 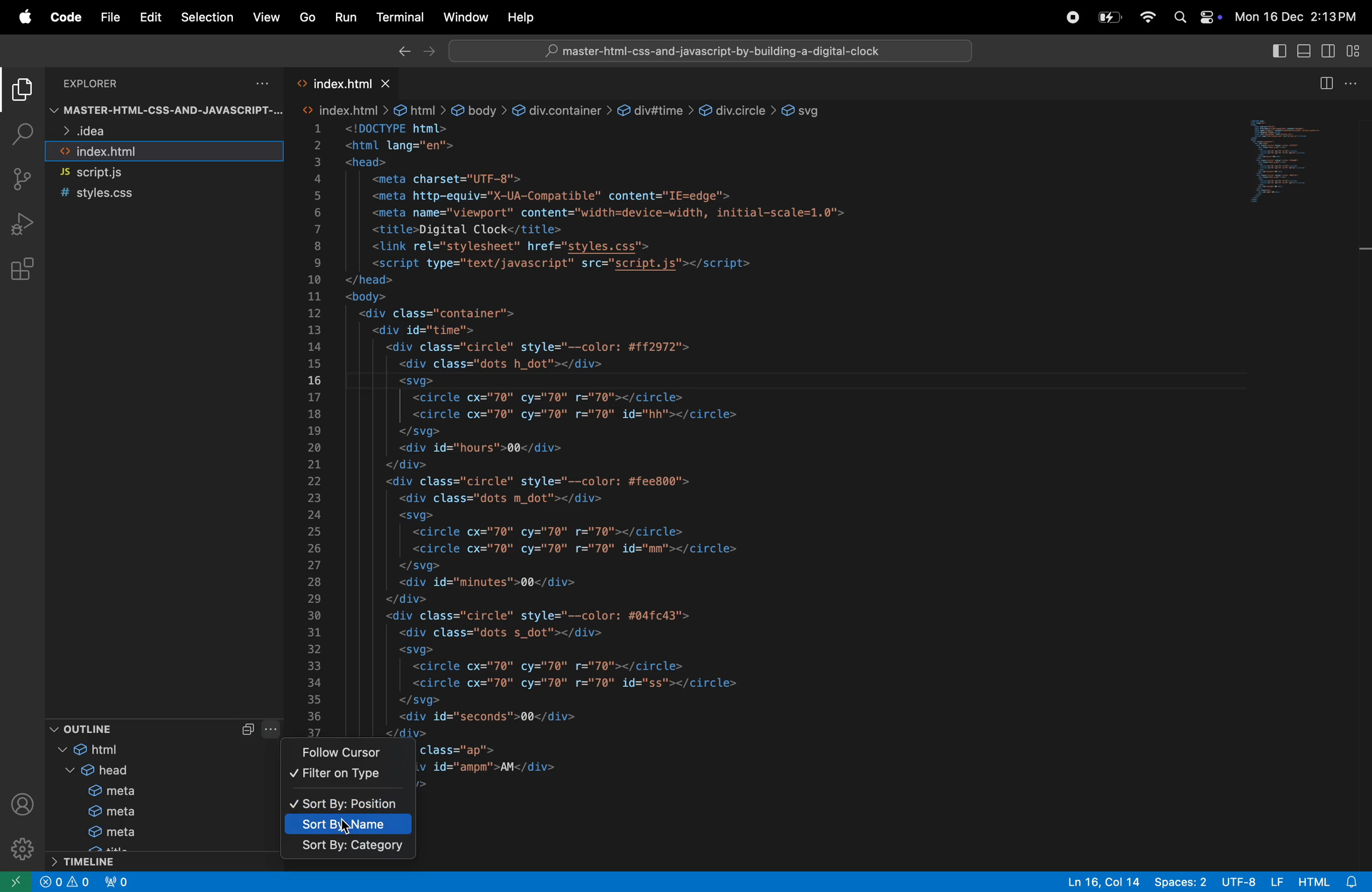 I want to click on time line, so click(x=133, y=860).